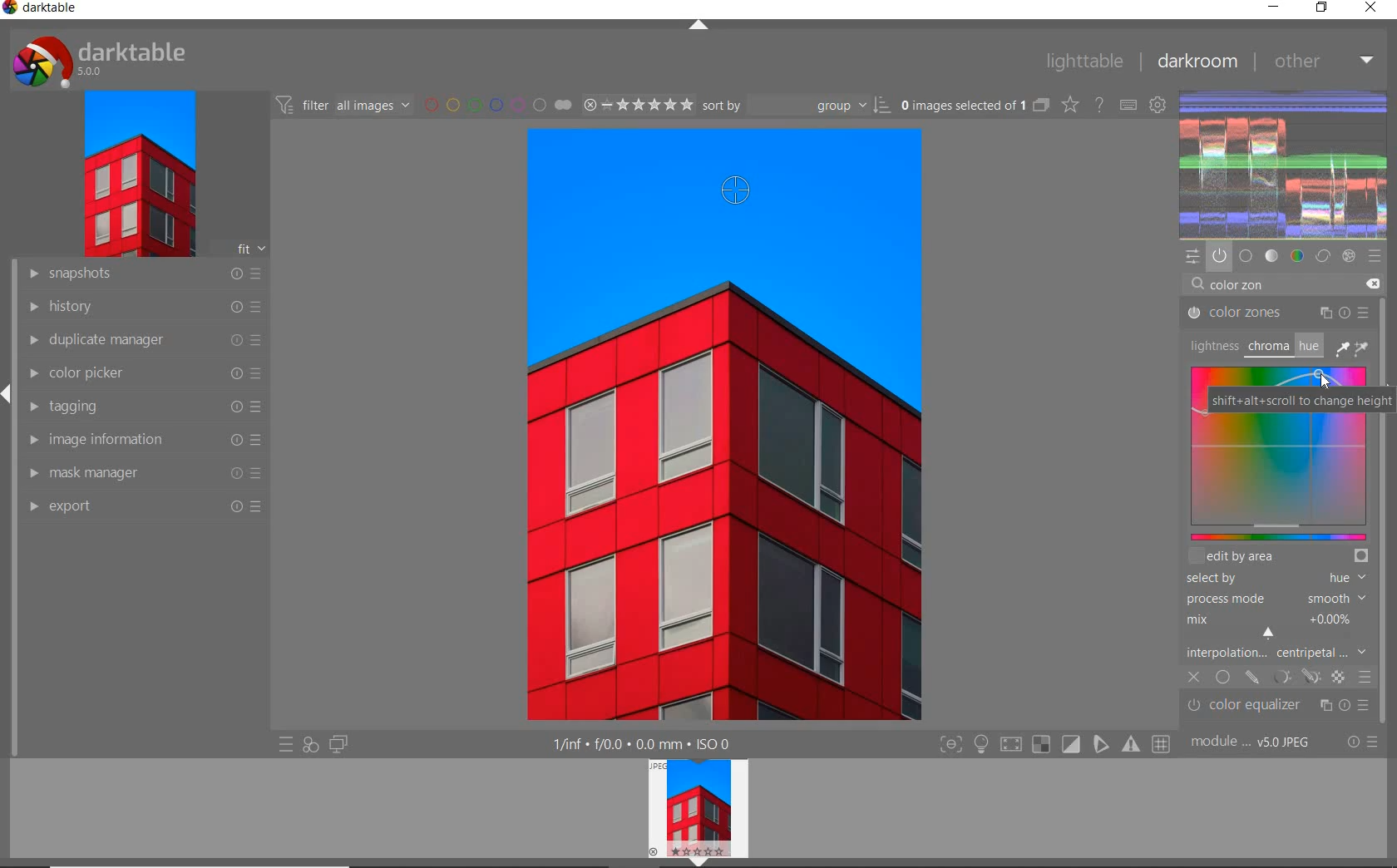  What do you see at coordinates (1072, 106) in the screenshot?
I see `change type of overlays` at bounding box center [1072, 106].